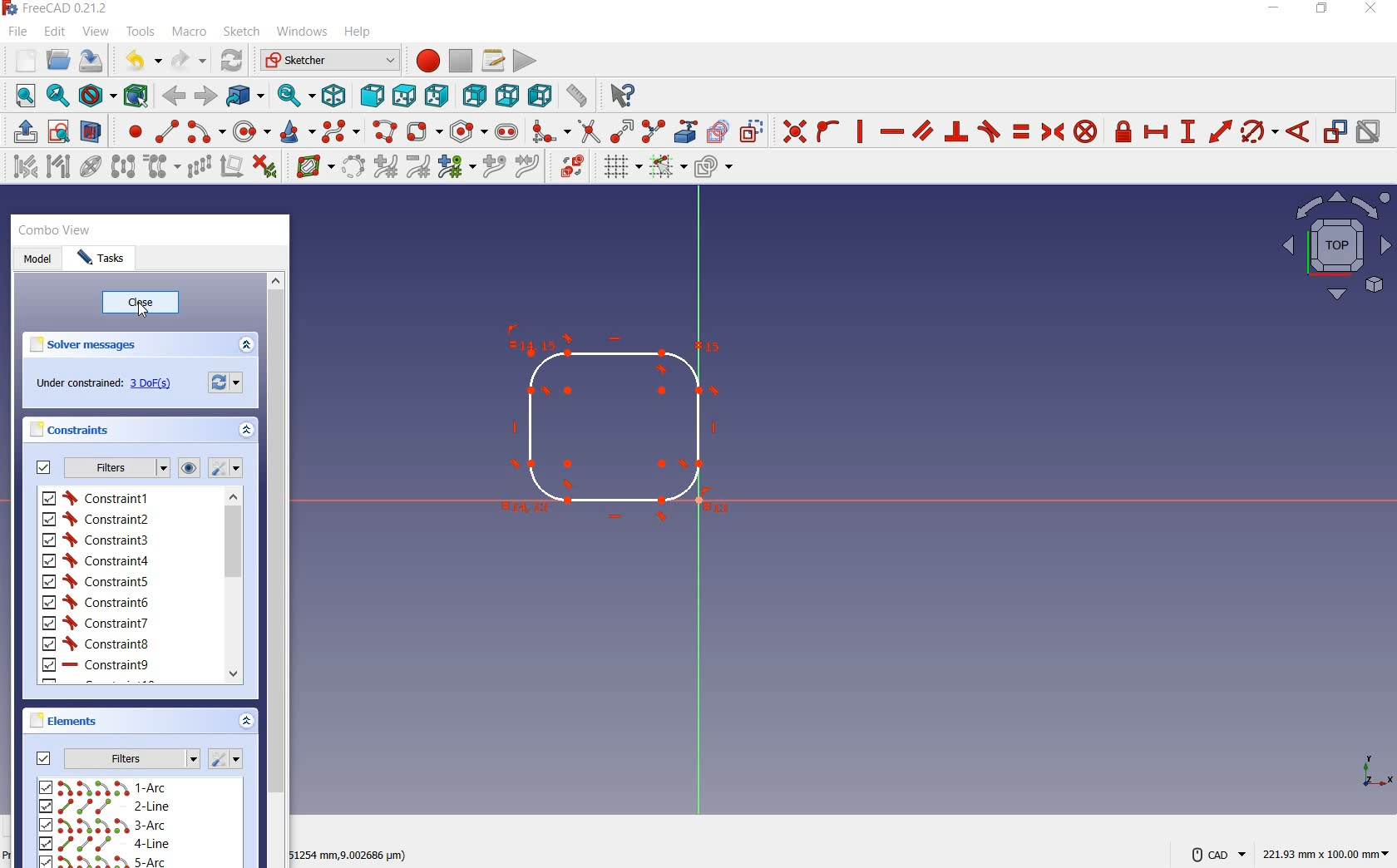 Image resolution: width=1397 pixels, height=868 pixels. Describe the element at coordinates (111, 259) in the screenshot. I see `tasks` at that location.